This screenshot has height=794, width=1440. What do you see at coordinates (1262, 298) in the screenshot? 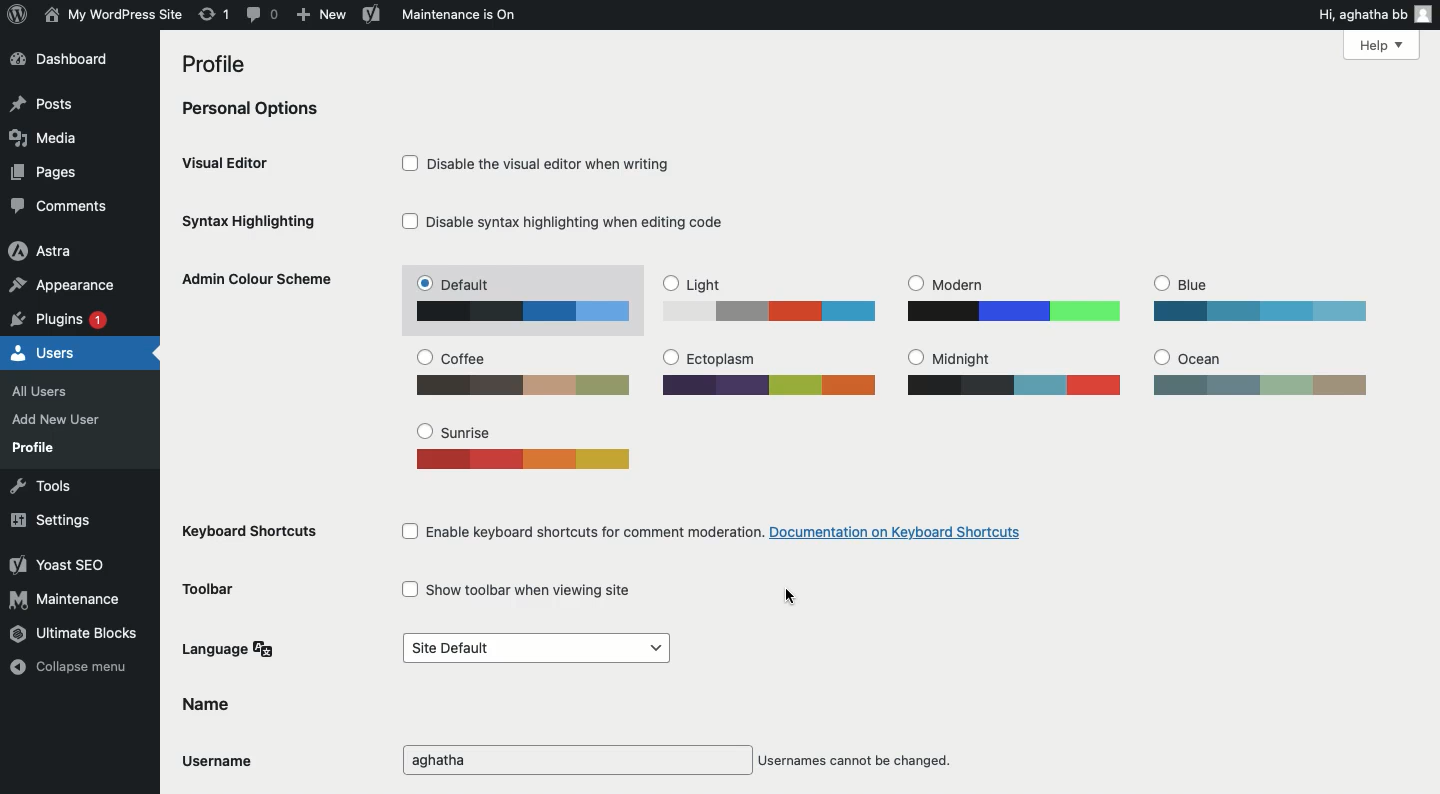
I see `Blue` at bounding box center [1262, 298].